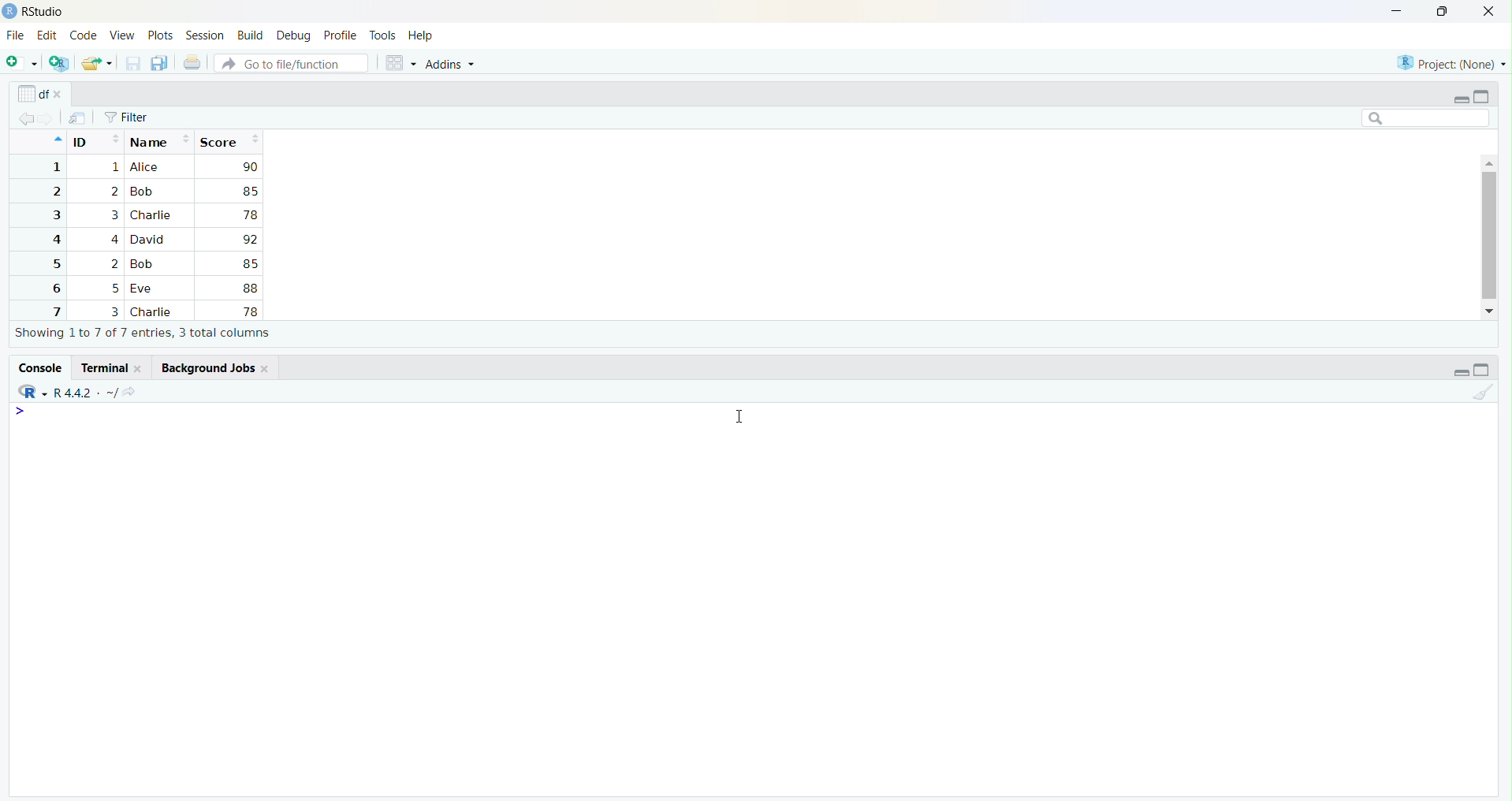 The height and width of the screenshot is (801, 1512). I want to click on print, so click(192, 62).